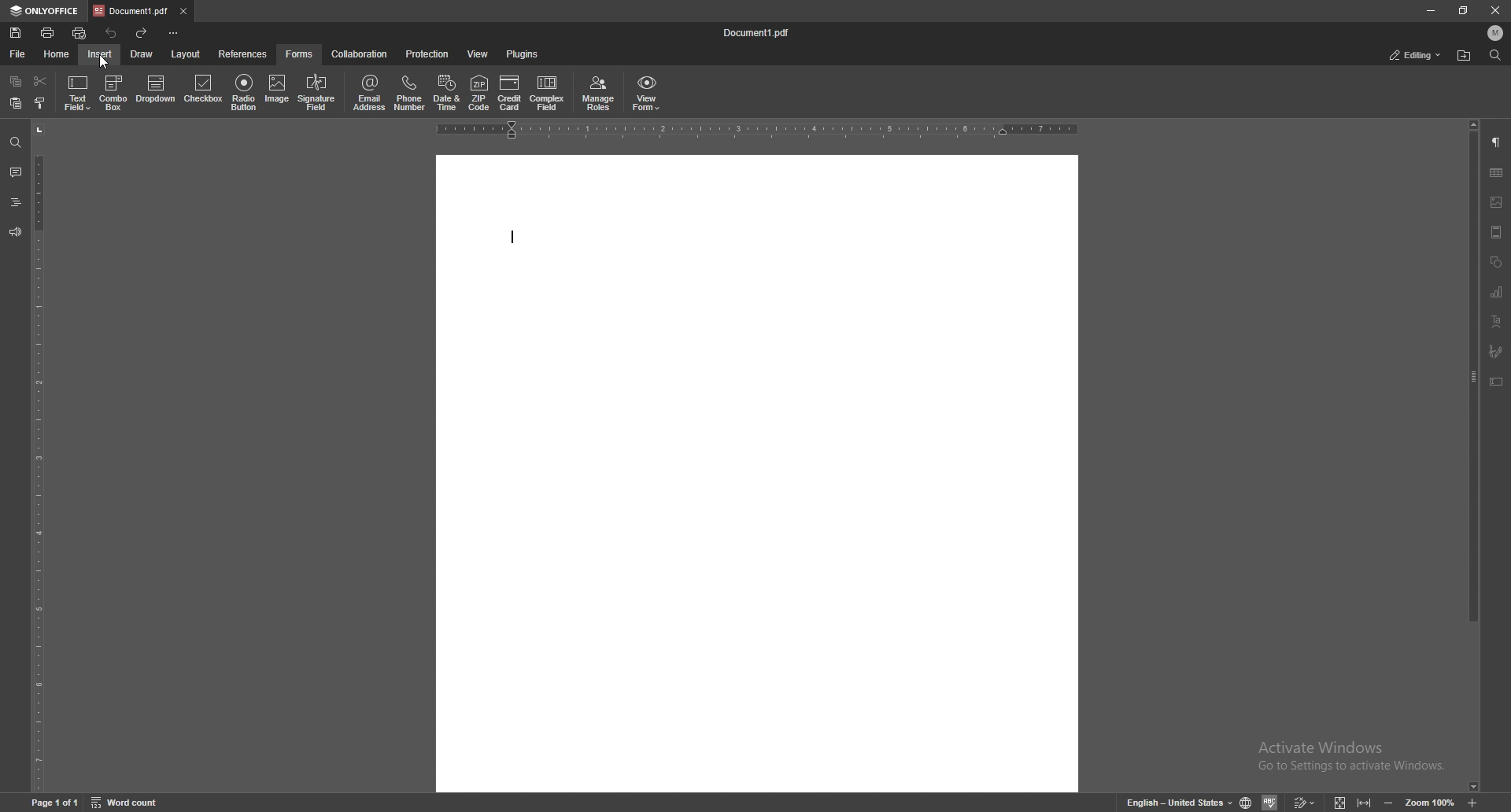 The image size is (1511, 812). What do you see at coordinates (17, 143) in the screenshot?
I see `find` at bounding box center [17, 143].